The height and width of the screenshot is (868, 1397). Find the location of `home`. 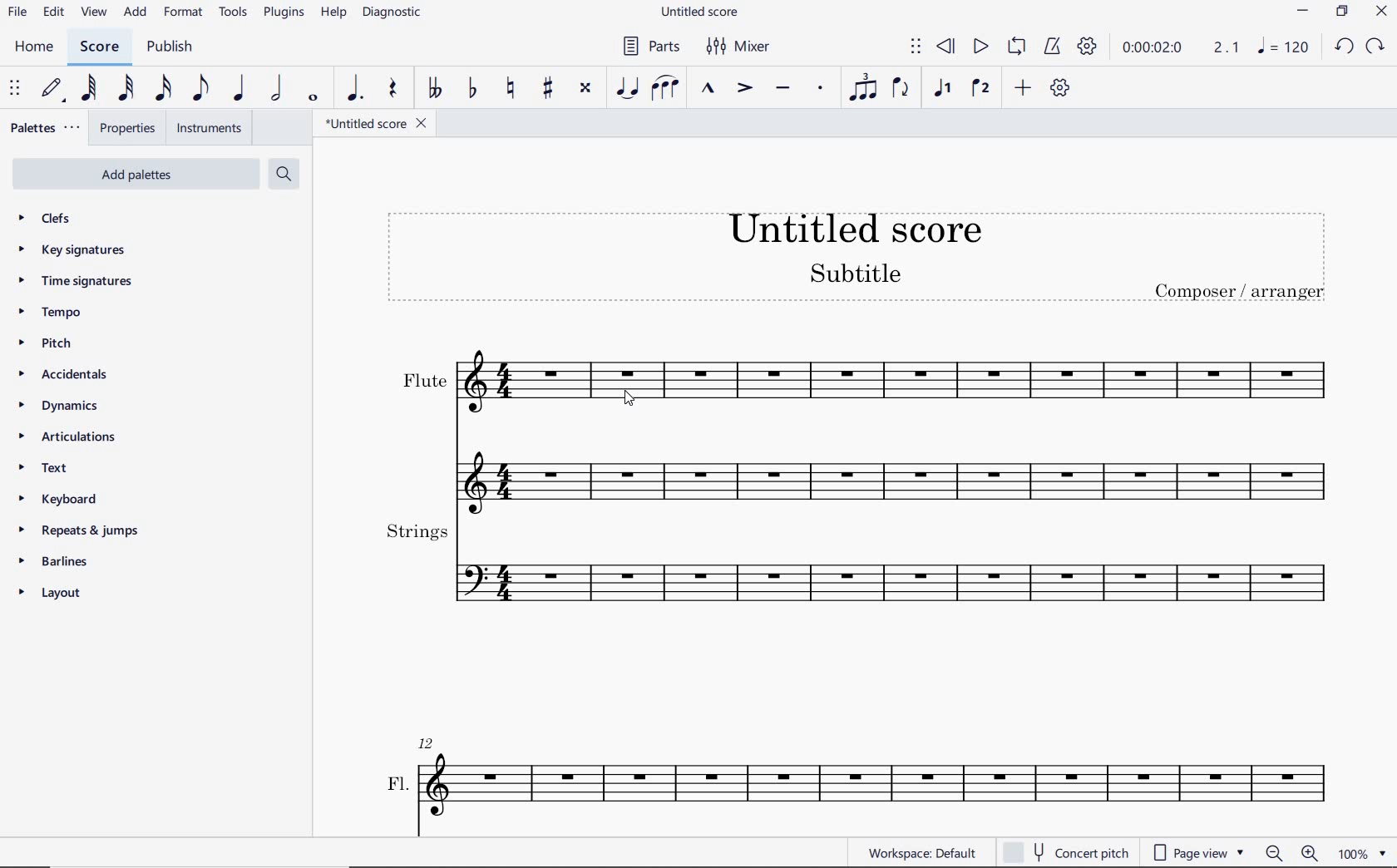

home is located at coordinates (35, 47).